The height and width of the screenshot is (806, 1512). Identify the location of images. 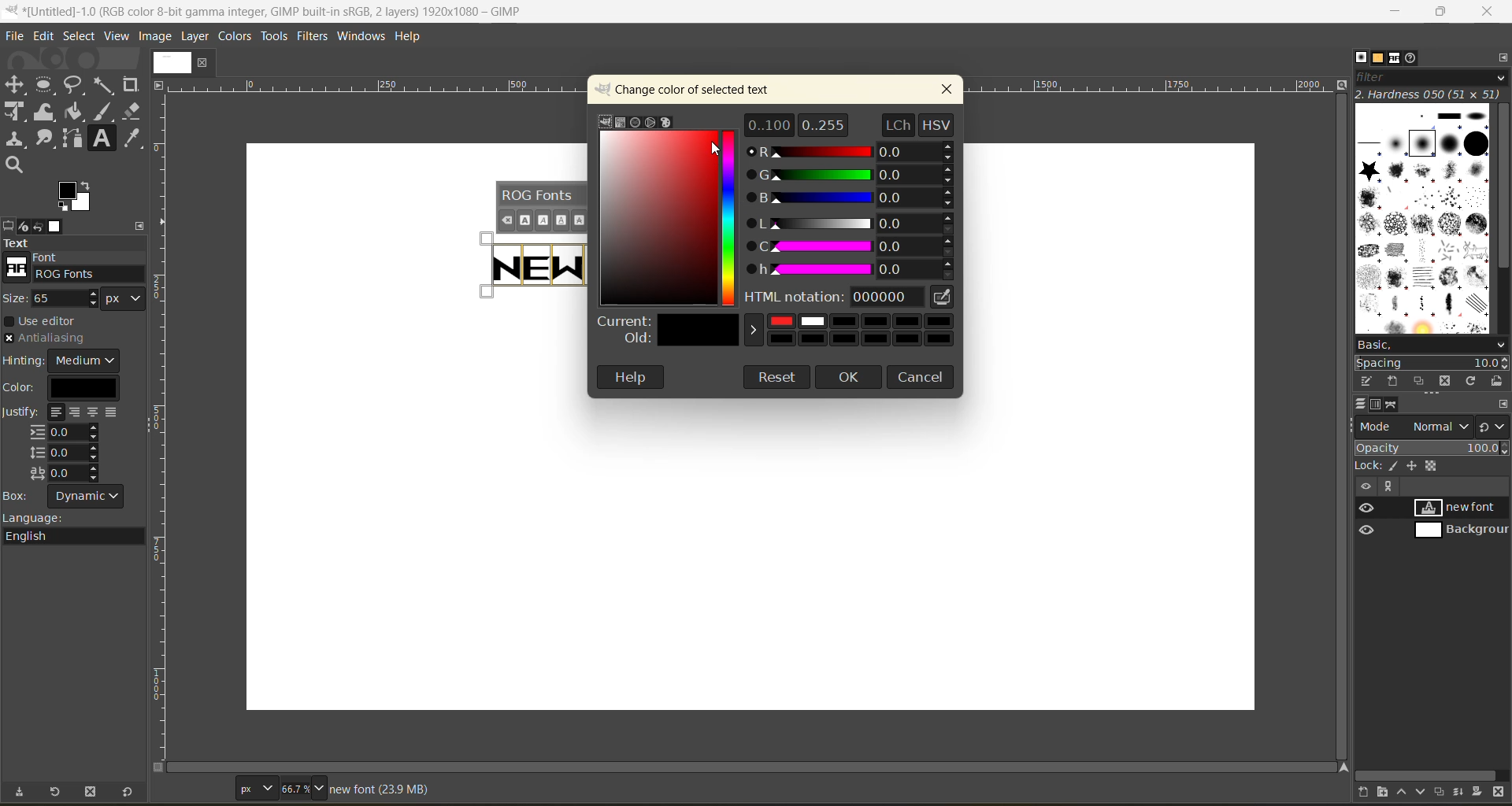
(57, 226).